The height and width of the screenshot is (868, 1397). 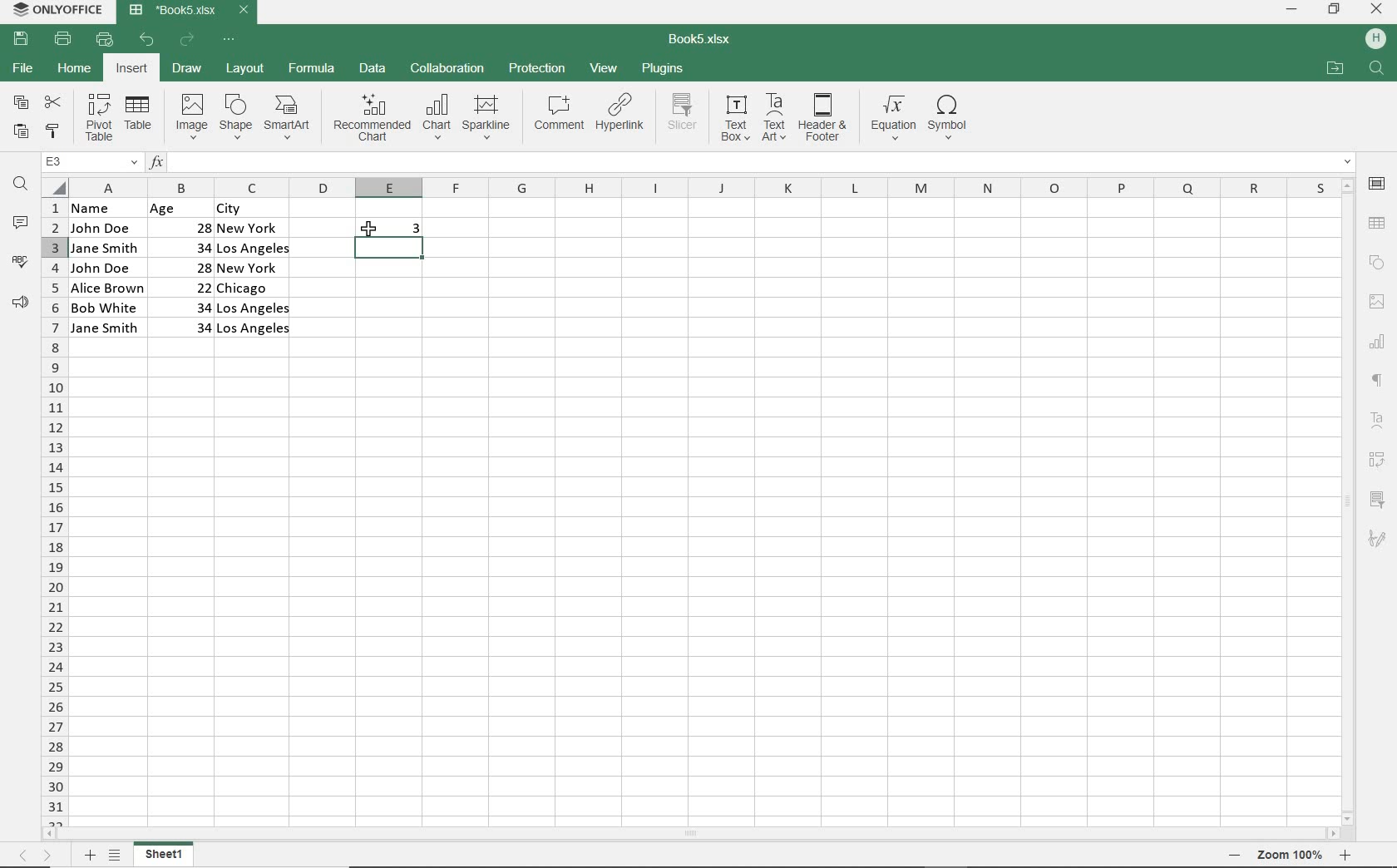 What do you see at coordinates (559, 116) in the screenshot?
I see `COMMENT` at bounding box center [559, 116].